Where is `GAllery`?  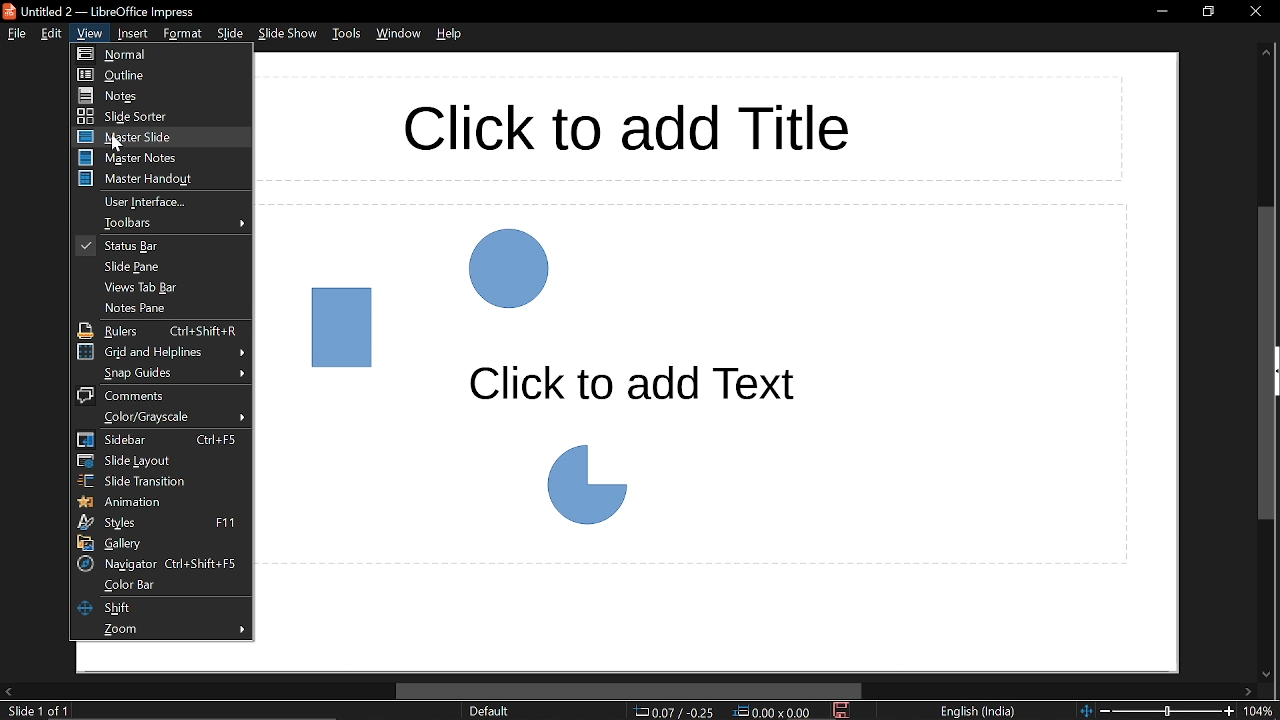
GAllery is located at coordinates (159, 543).